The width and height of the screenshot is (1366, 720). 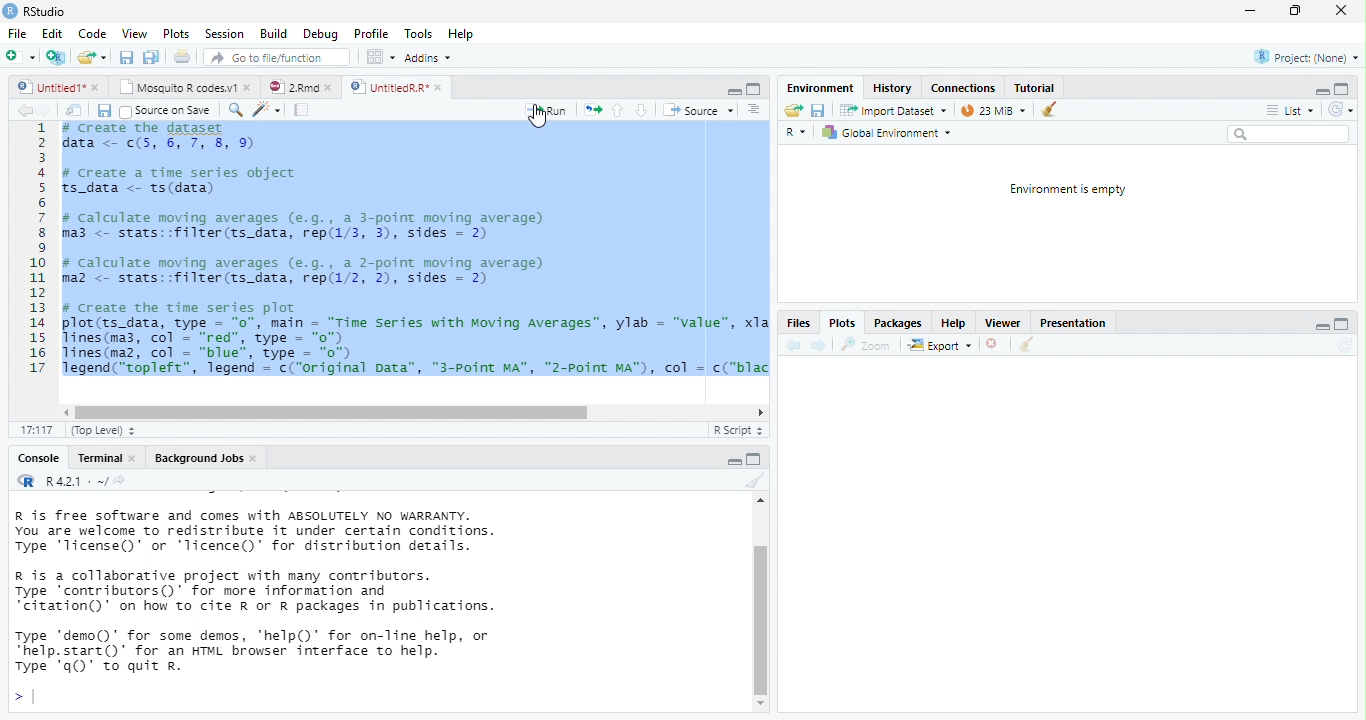 I want to click on compile report, so click(x=303, y=109).